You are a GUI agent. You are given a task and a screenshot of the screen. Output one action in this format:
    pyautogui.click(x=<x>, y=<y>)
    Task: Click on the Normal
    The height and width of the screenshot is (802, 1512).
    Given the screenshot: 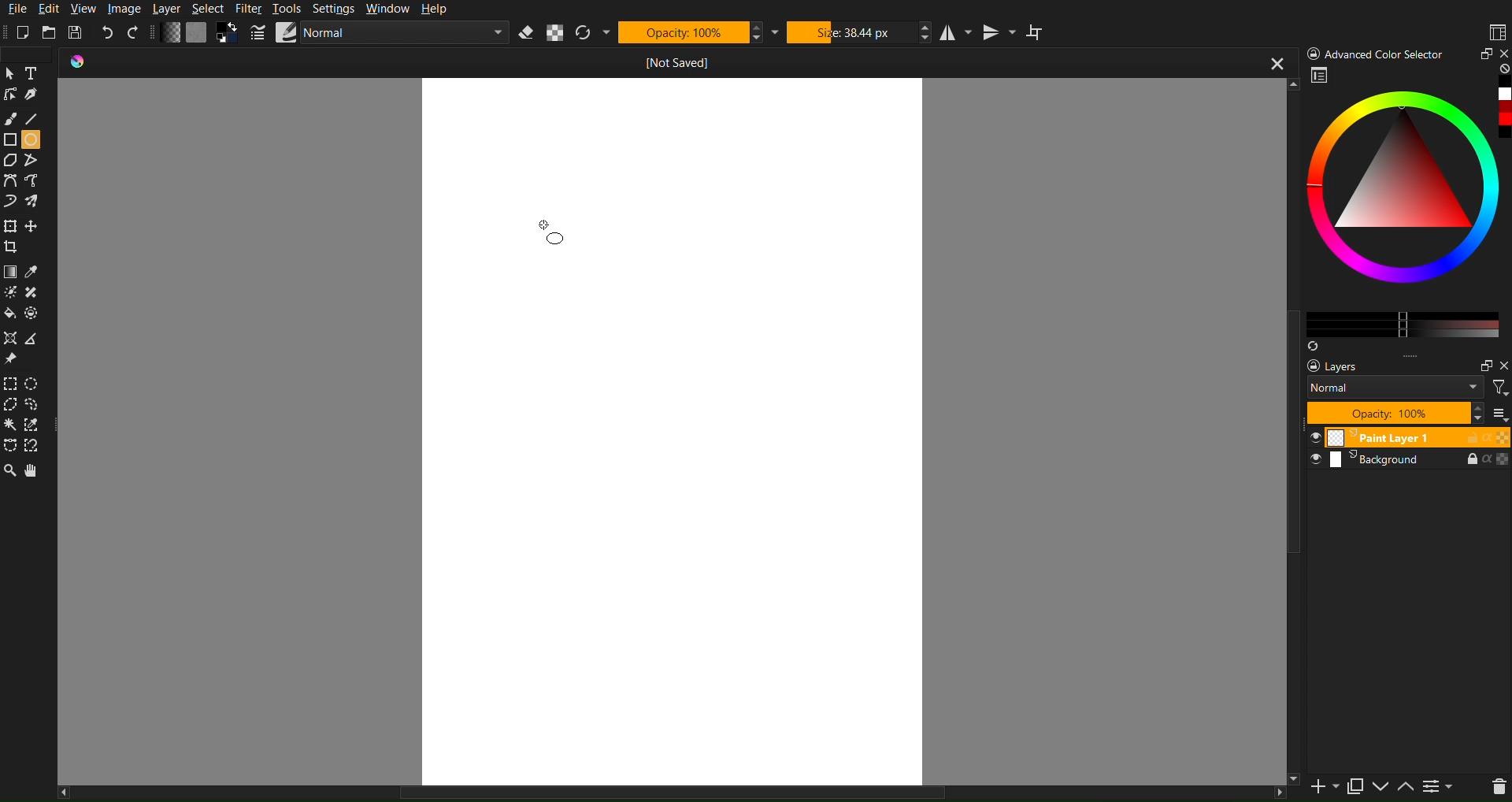 What is the action you would take?
    pyautogui.click(x=1396, y=387)
    